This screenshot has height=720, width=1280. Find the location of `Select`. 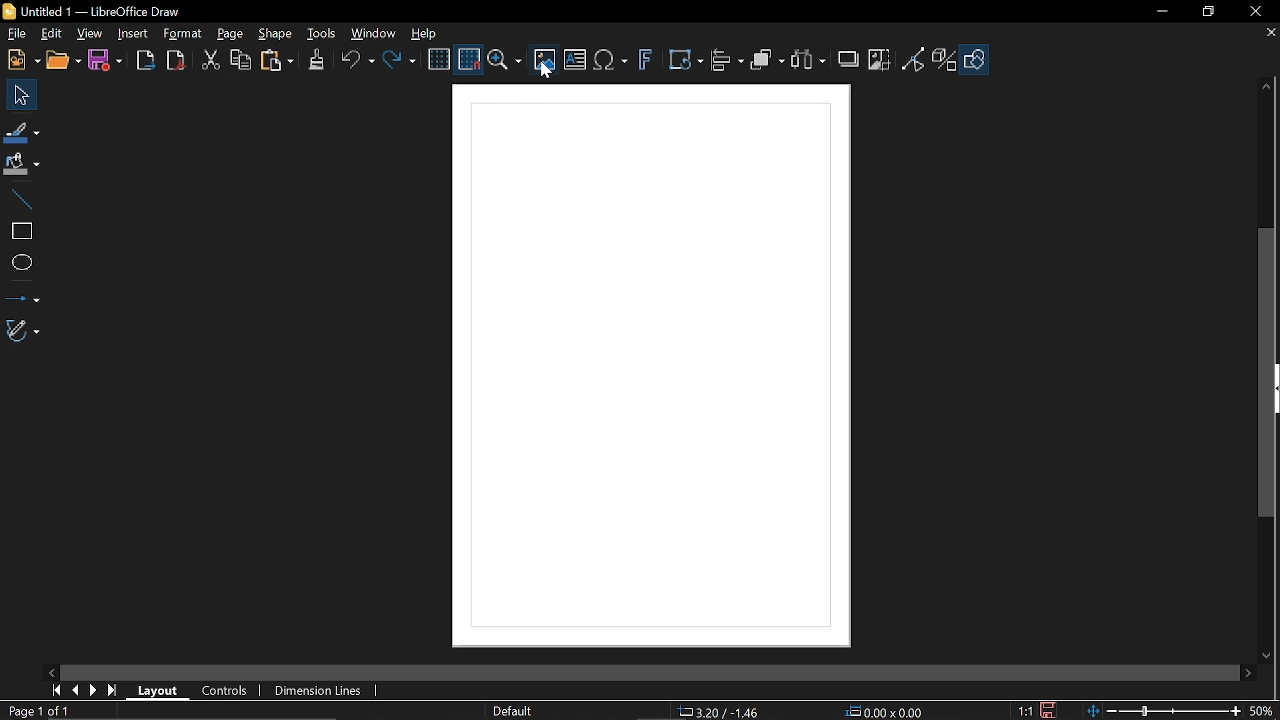

Select is located at coordinates (19, 95).